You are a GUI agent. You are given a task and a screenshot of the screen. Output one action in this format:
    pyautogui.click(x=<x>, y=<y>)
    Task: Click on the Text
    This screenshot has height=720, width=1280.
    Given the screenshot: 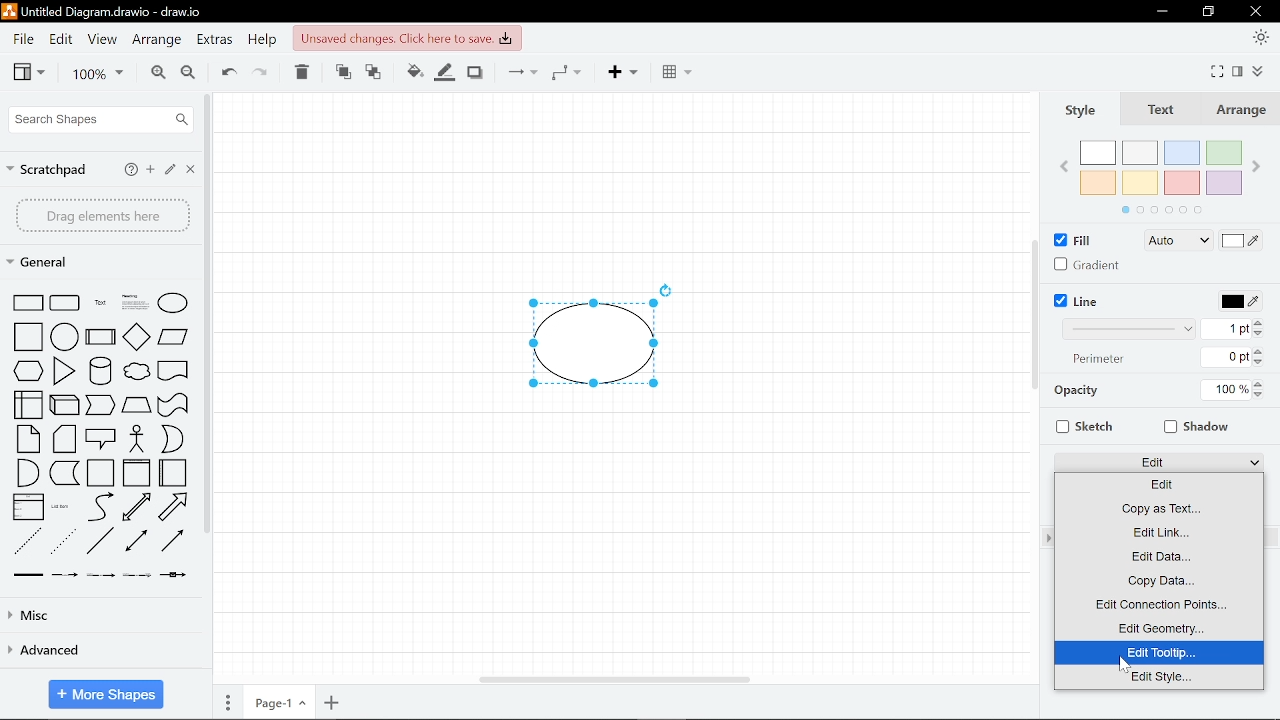 What is the action you would take?
    pyautogui.click(x=1158, y=111)
    